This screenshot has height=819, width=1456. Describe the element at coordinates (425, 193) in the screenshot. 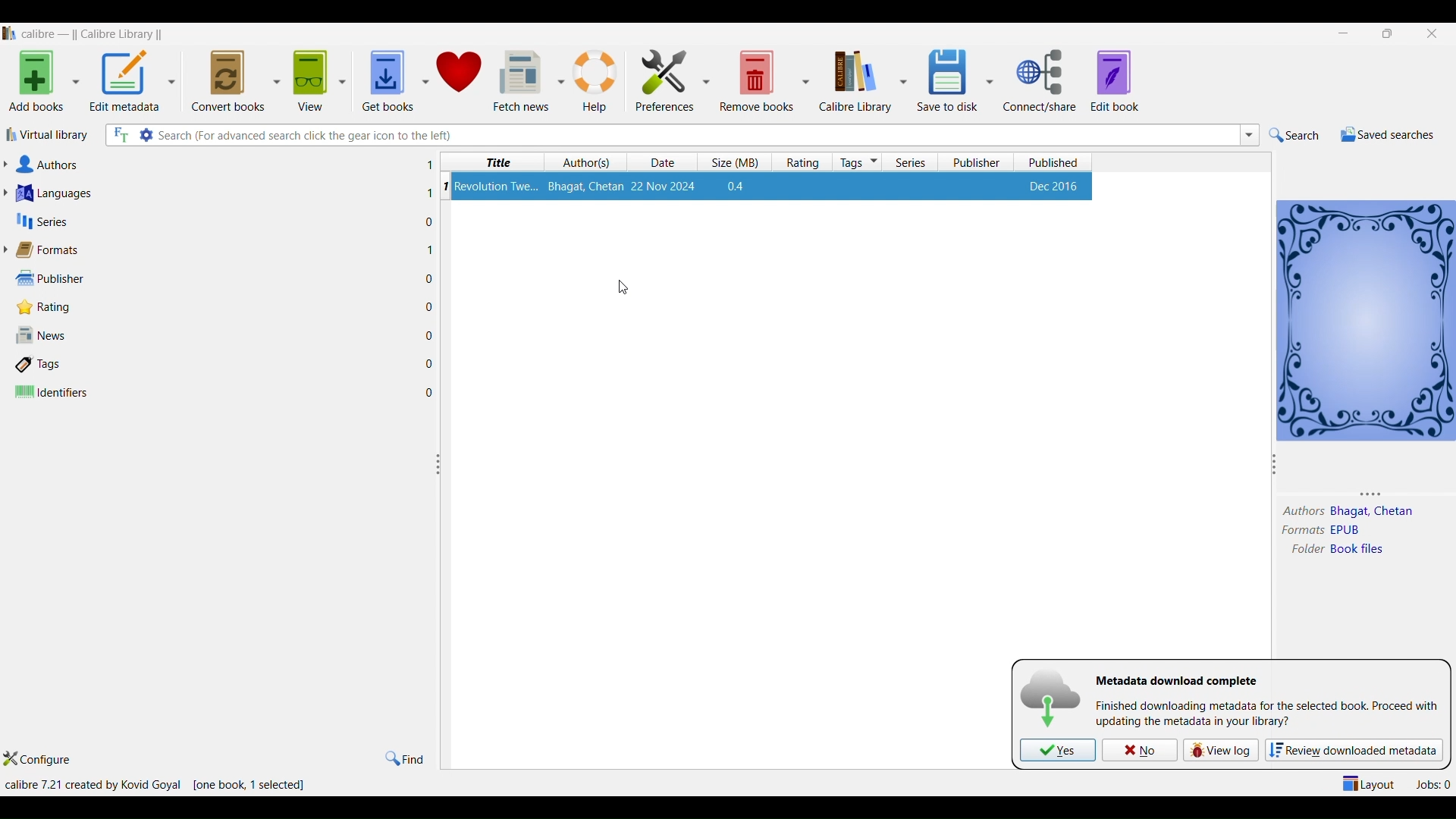

I see `1` at that location.